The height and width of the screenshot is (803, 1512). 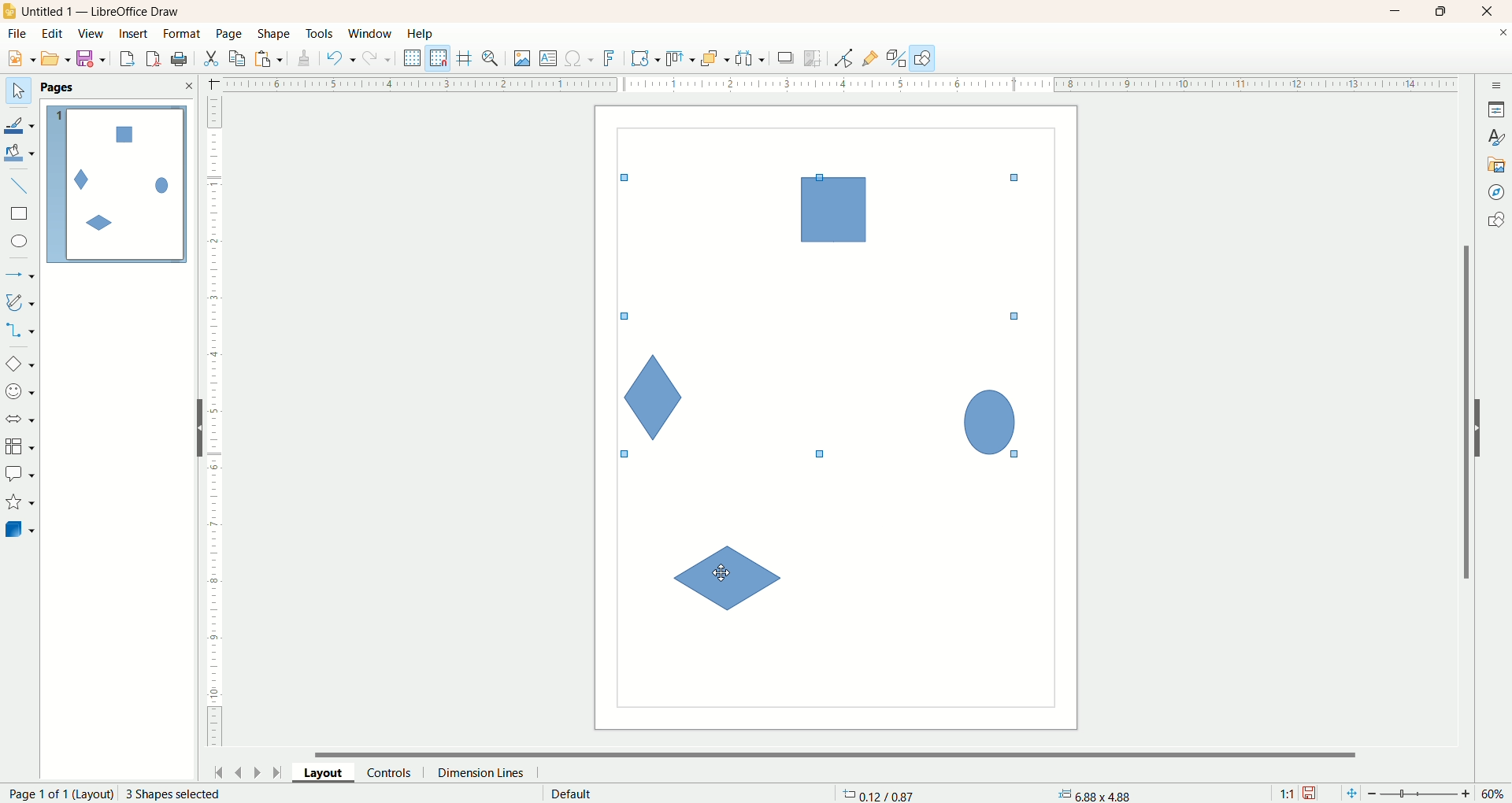 I want to click on callout shapes, so click(x=20, y=475).